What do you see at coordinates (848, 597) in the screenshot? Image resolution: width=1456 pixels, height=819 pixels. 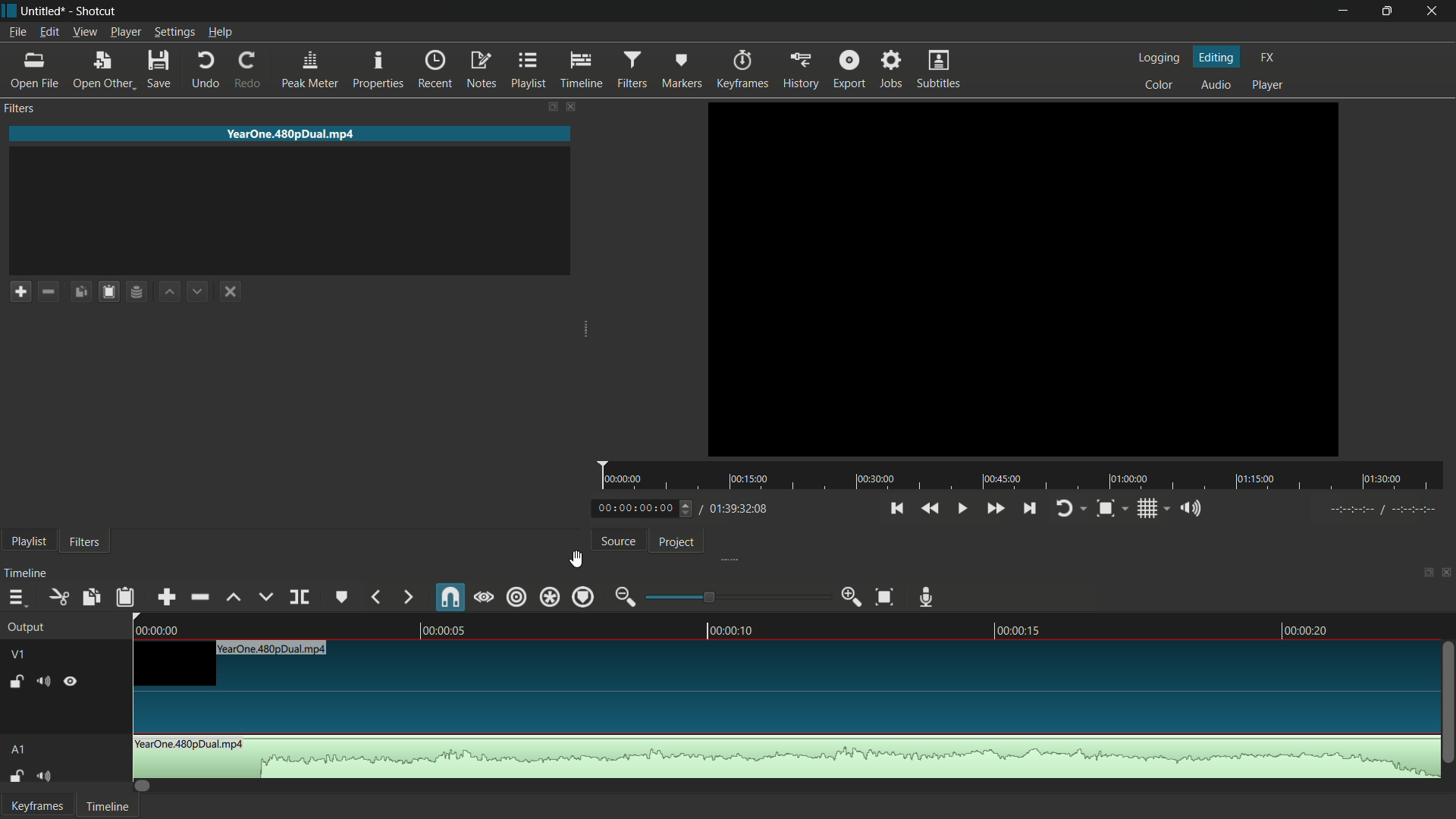 I see `zoom in` at bounding box center [848, 597].